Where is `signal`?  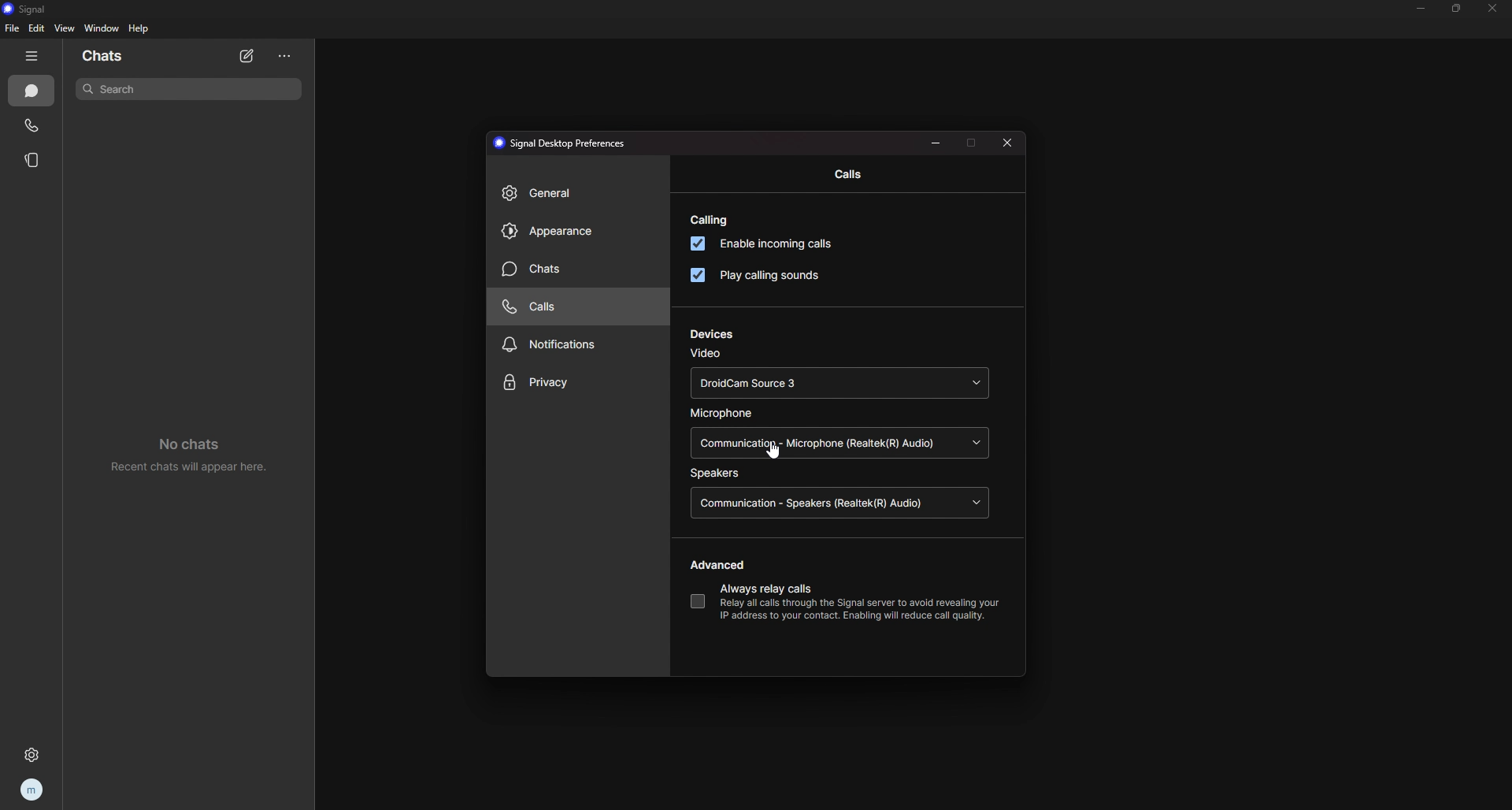
signal is located at coordinates (37, 8).